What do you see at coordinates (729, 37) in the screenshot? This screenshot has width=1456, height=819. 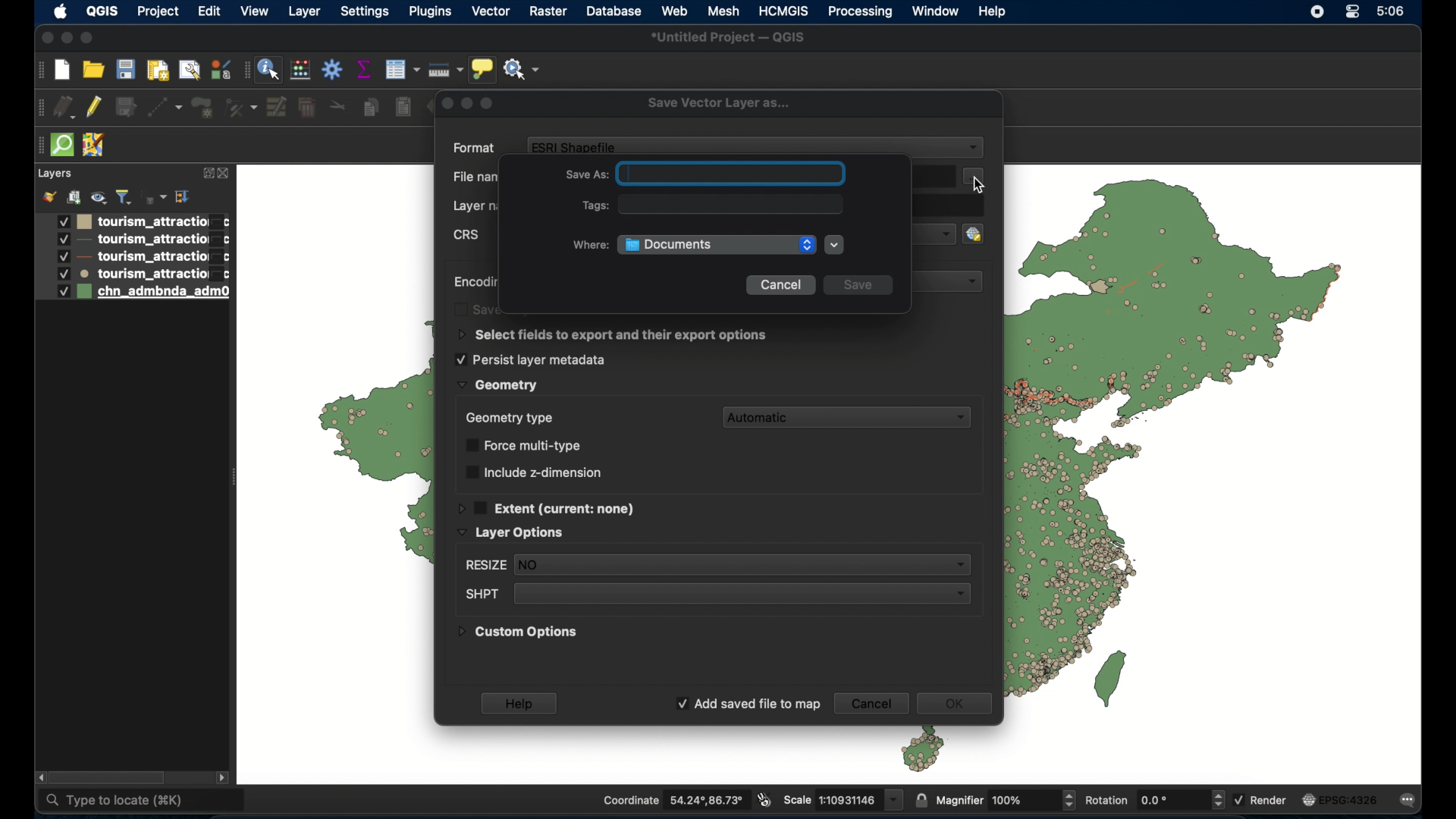 I see `untitled project - QGIS` at bounding box center [729, 37].